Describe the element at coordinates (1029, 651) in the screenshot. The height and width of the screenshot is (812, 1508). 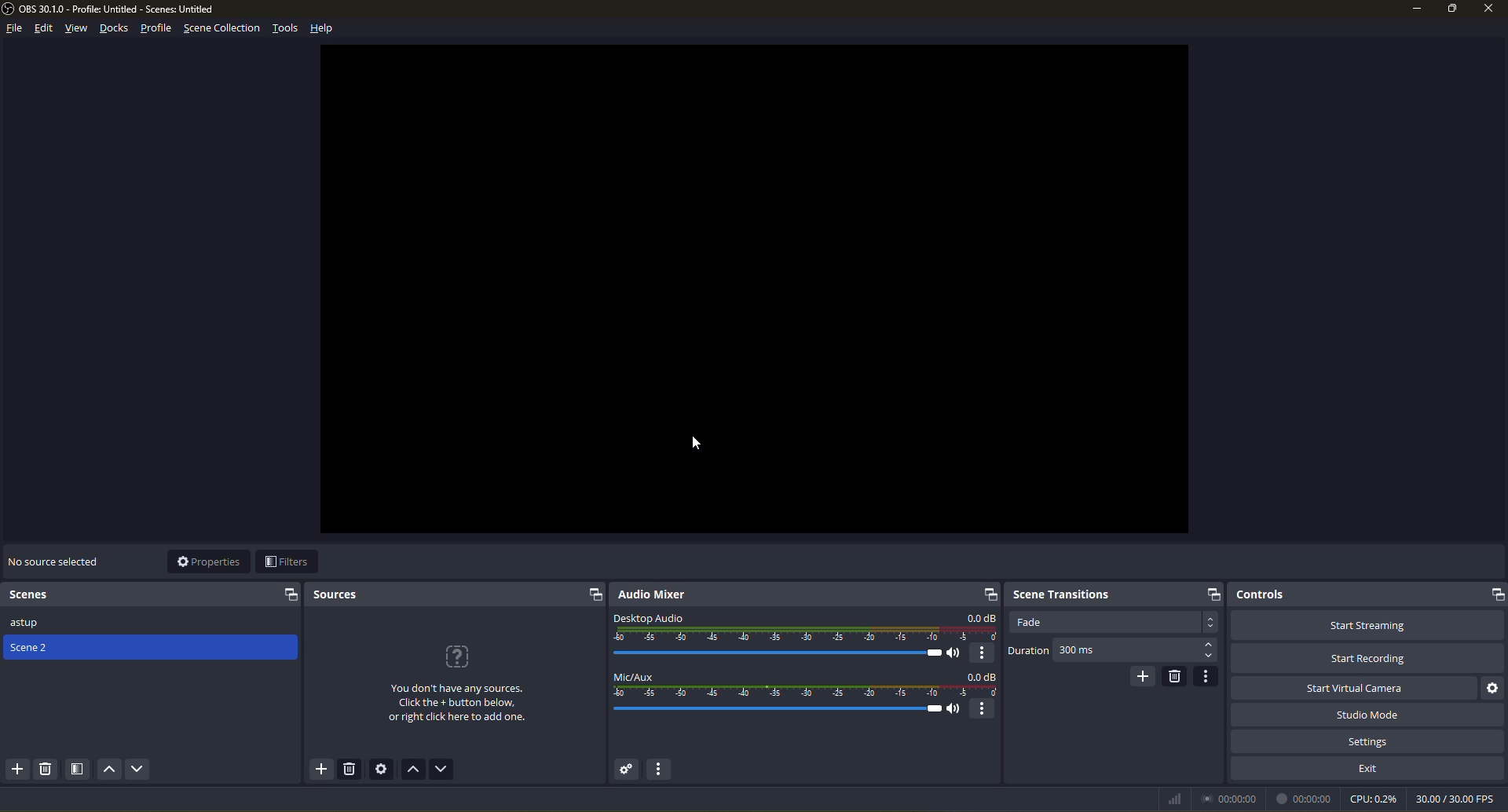
I see `duration` at that location.